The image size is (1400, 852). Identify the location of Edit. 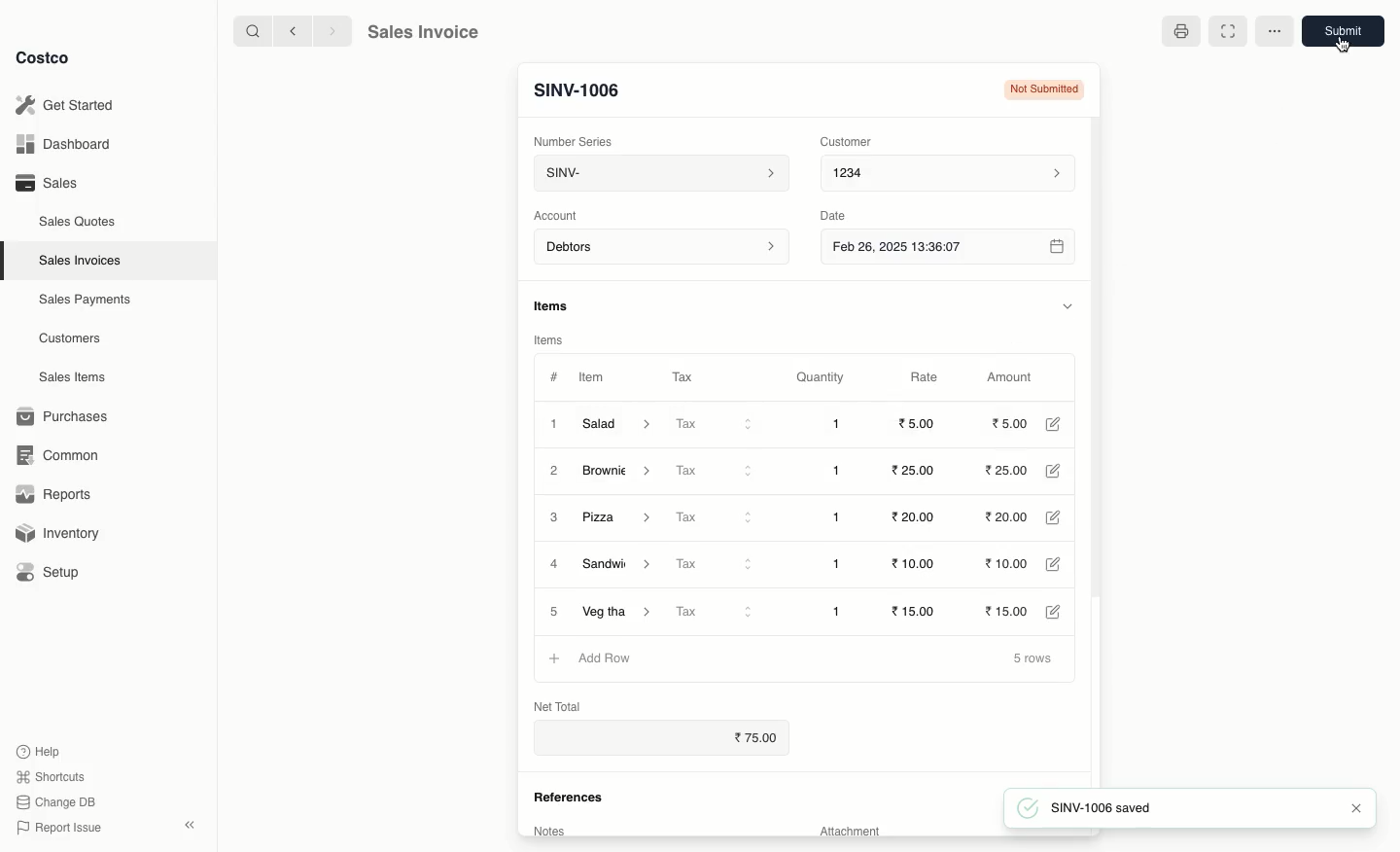
(1056, 564).